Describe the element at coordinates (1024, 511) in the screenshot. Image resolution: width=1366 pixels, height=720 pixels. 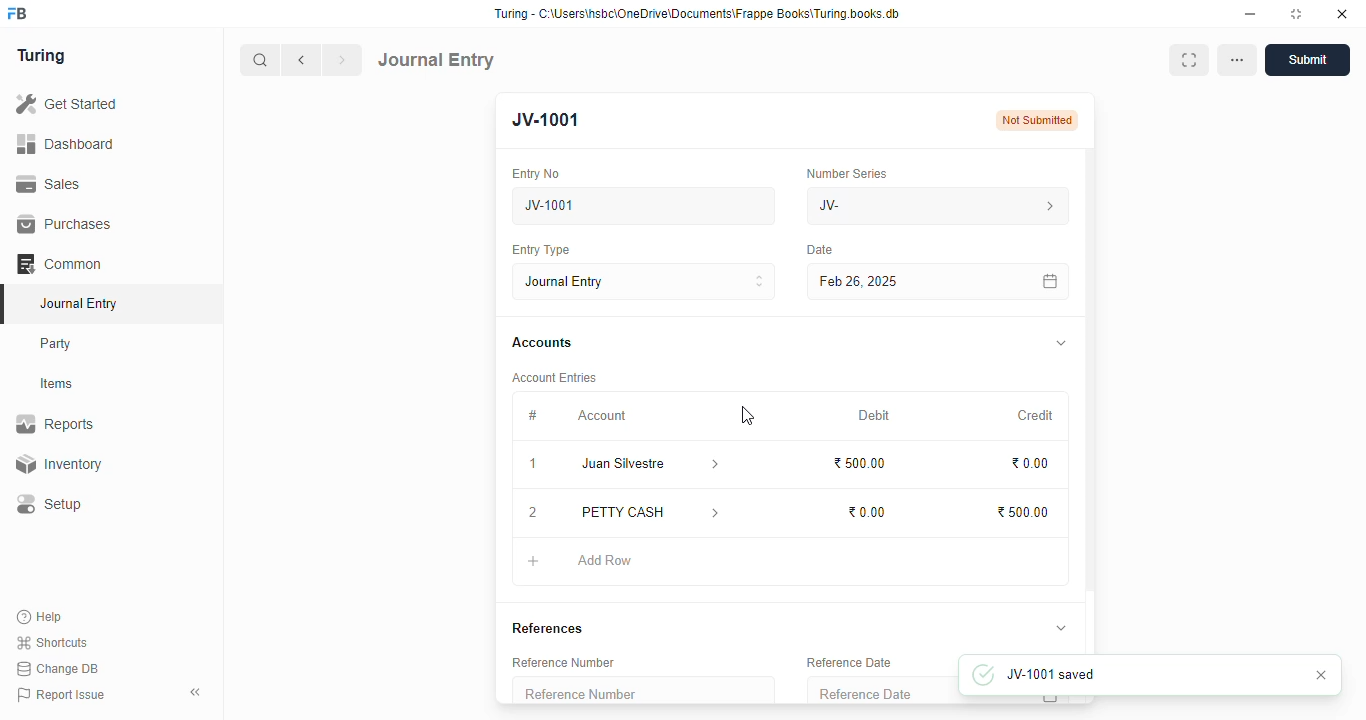
I see `₹500.00` at that location.